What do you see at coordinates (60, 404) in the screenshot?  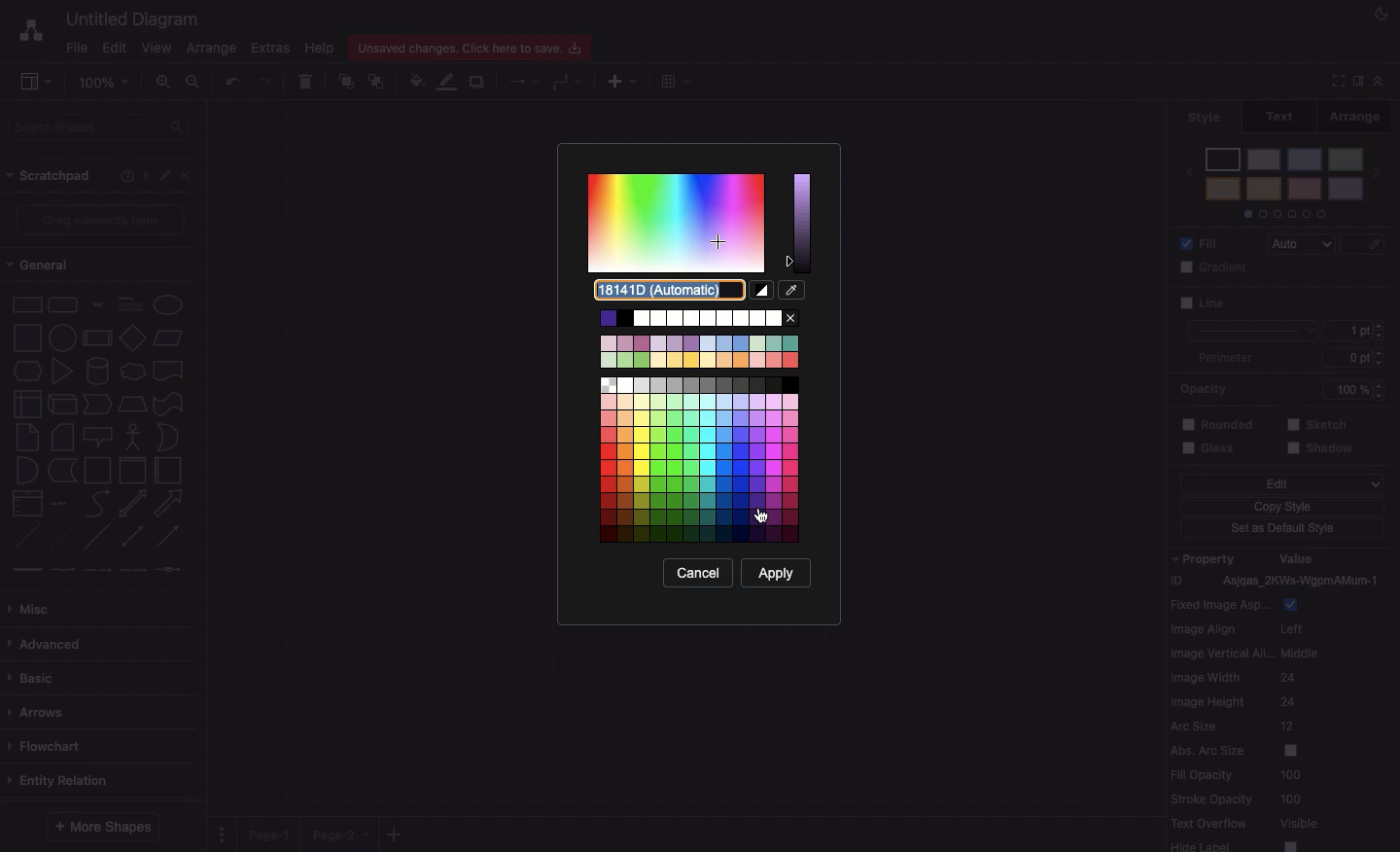 I see `cube` at bounding box center [60, 404].